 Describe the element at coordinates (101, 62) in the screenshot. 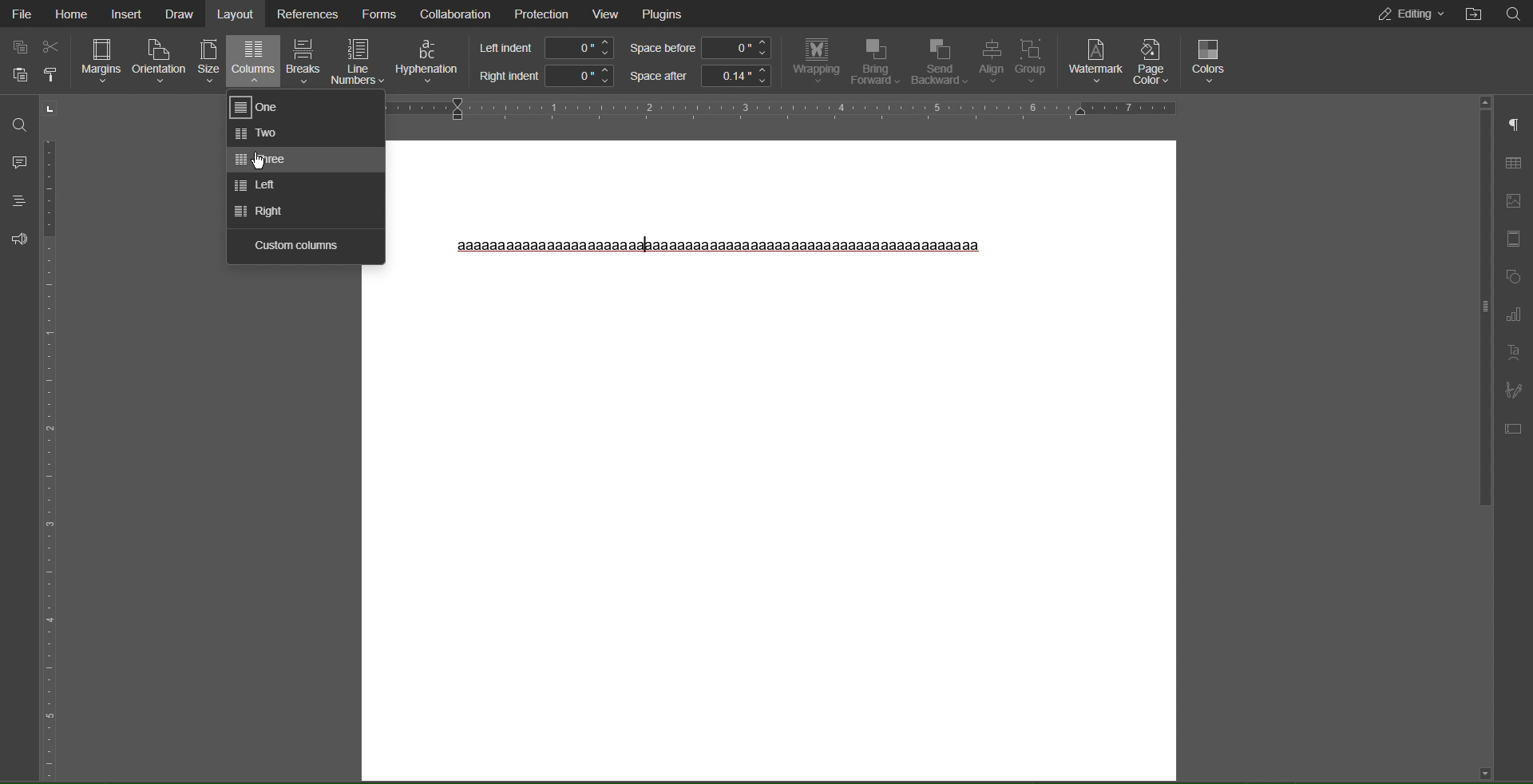

I see `Margins` at that location.